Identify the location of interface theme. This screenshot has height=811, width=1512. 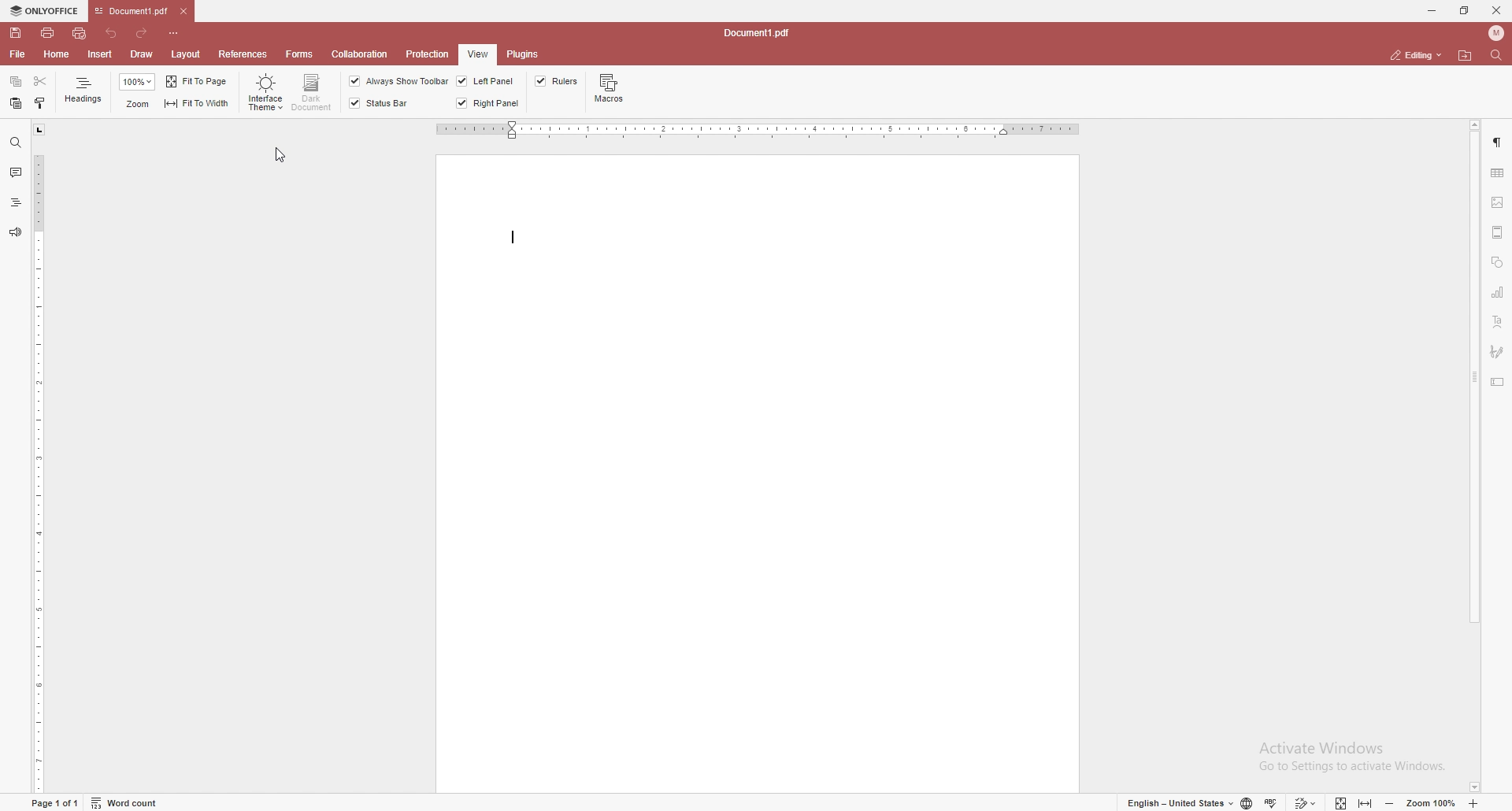
(265, 93).